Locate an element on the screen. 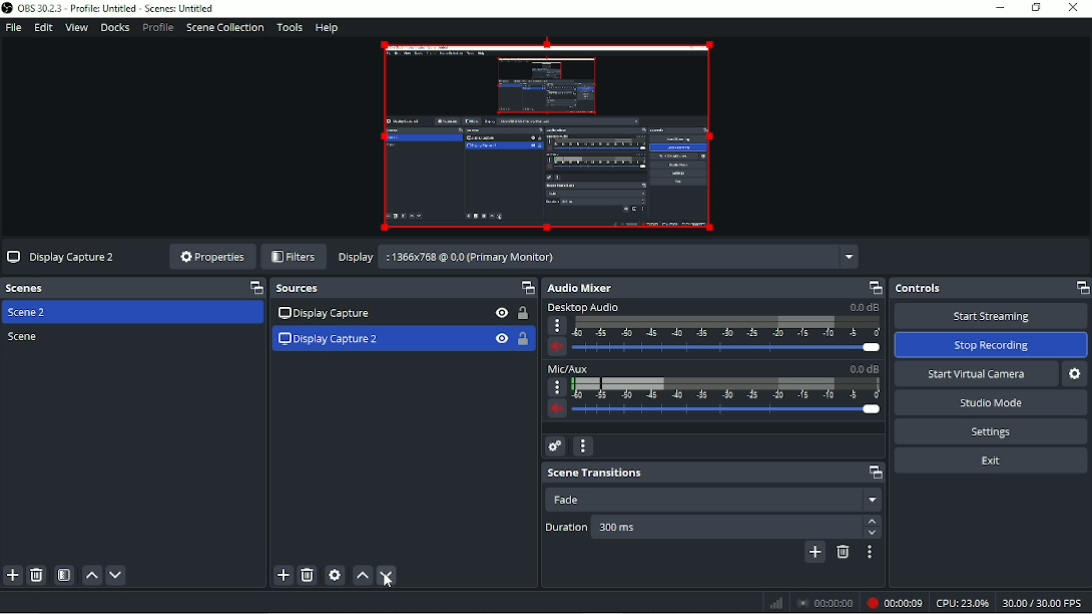  Recording (00:00:09) is located at coordinates (893, 602).